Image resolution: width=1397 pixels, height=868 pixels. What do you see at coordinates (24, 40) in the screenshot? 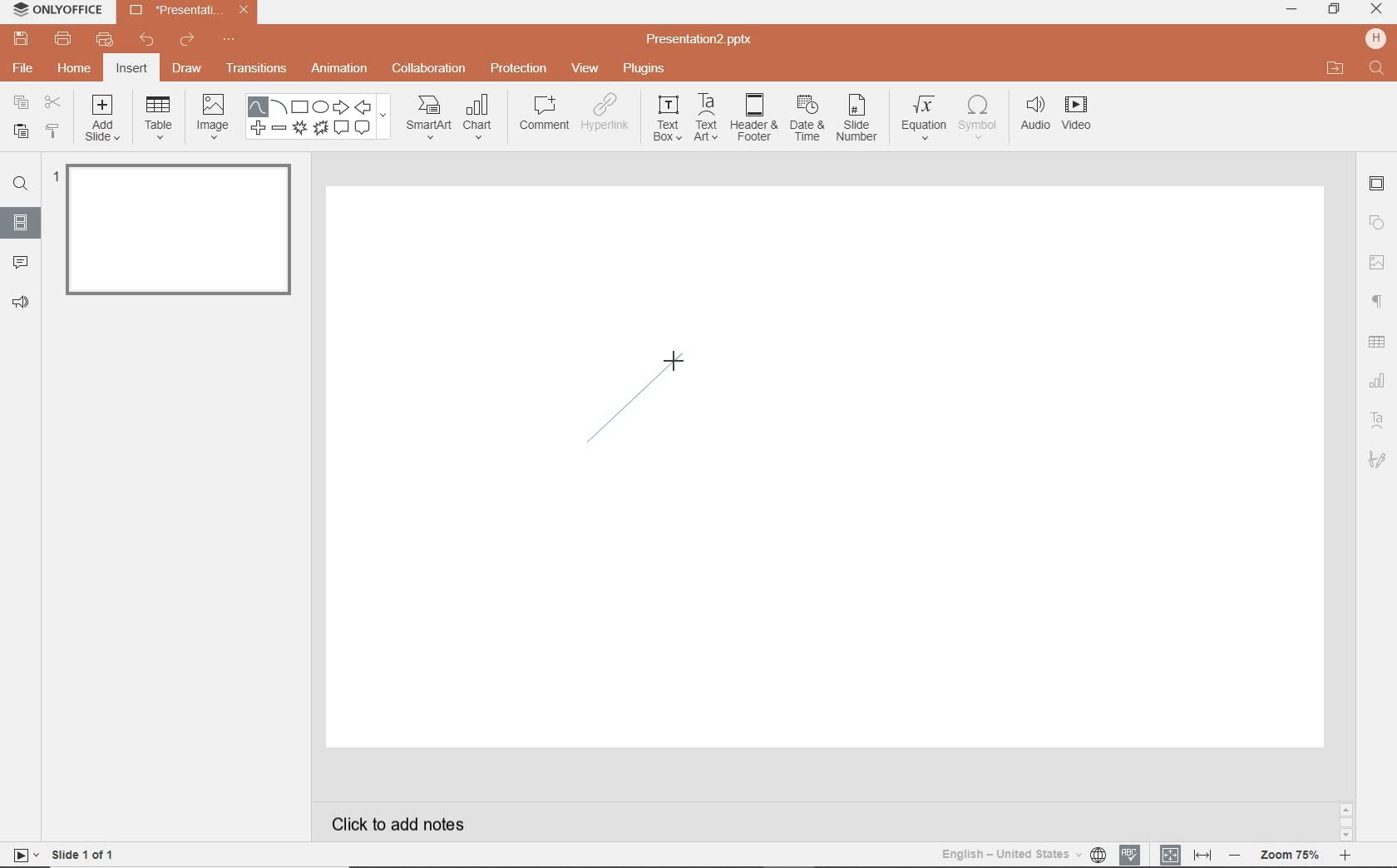
I see `SAVE` at bounding box center [24, 40].